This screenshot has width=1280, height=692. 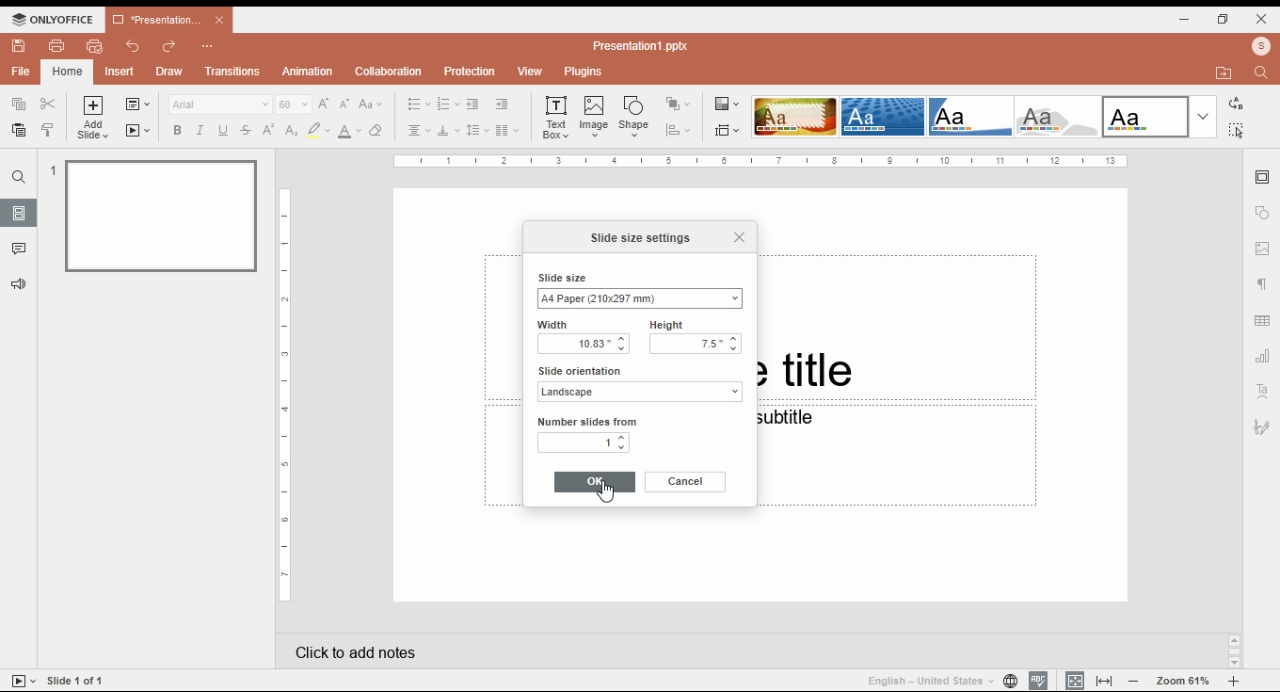 I want to click on *Presentation1, so click(x=169, y=20).